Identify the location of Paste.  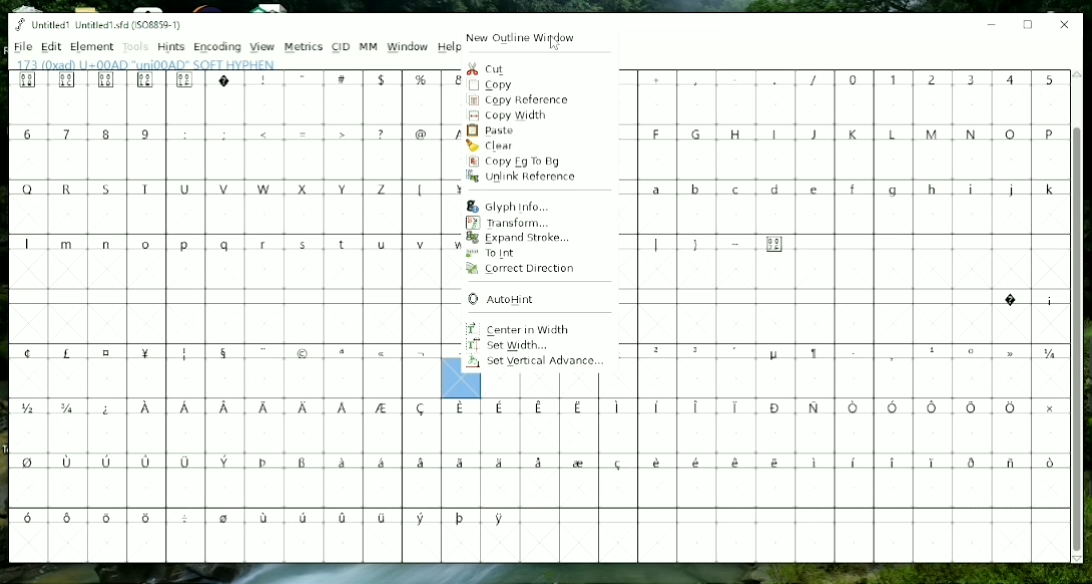
(494, 130).